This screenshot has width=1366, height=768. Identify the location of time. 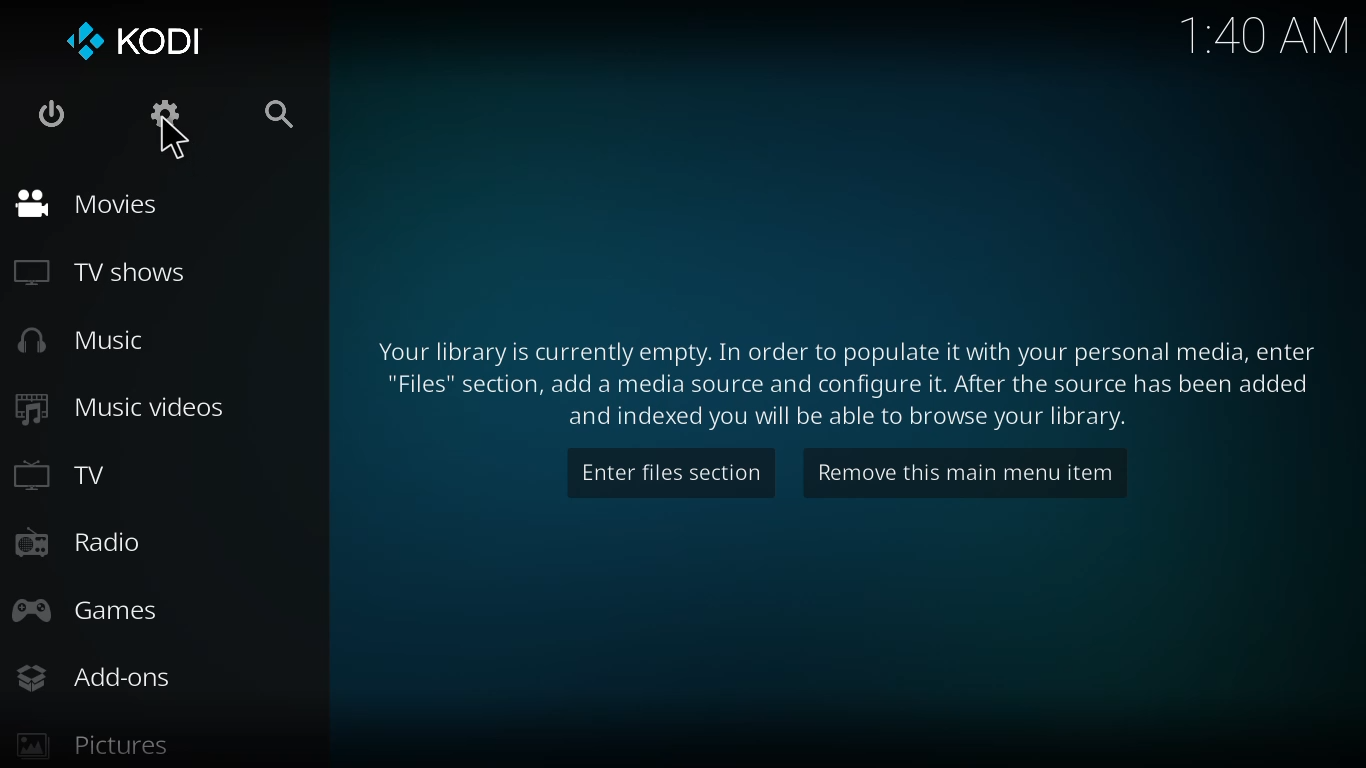
(1263, 35).